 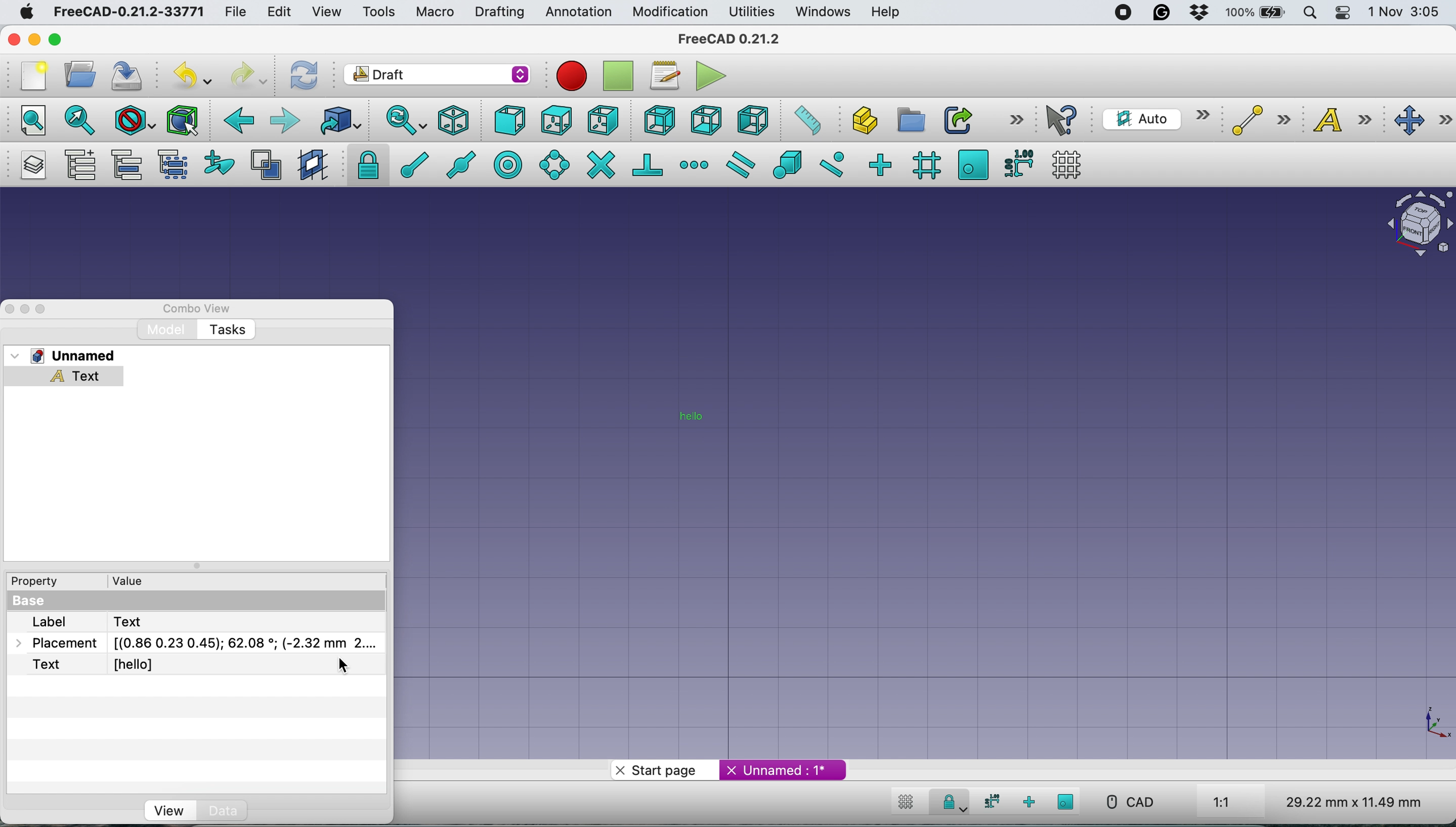 I want to click on Text added, so click(x=693, y=415).